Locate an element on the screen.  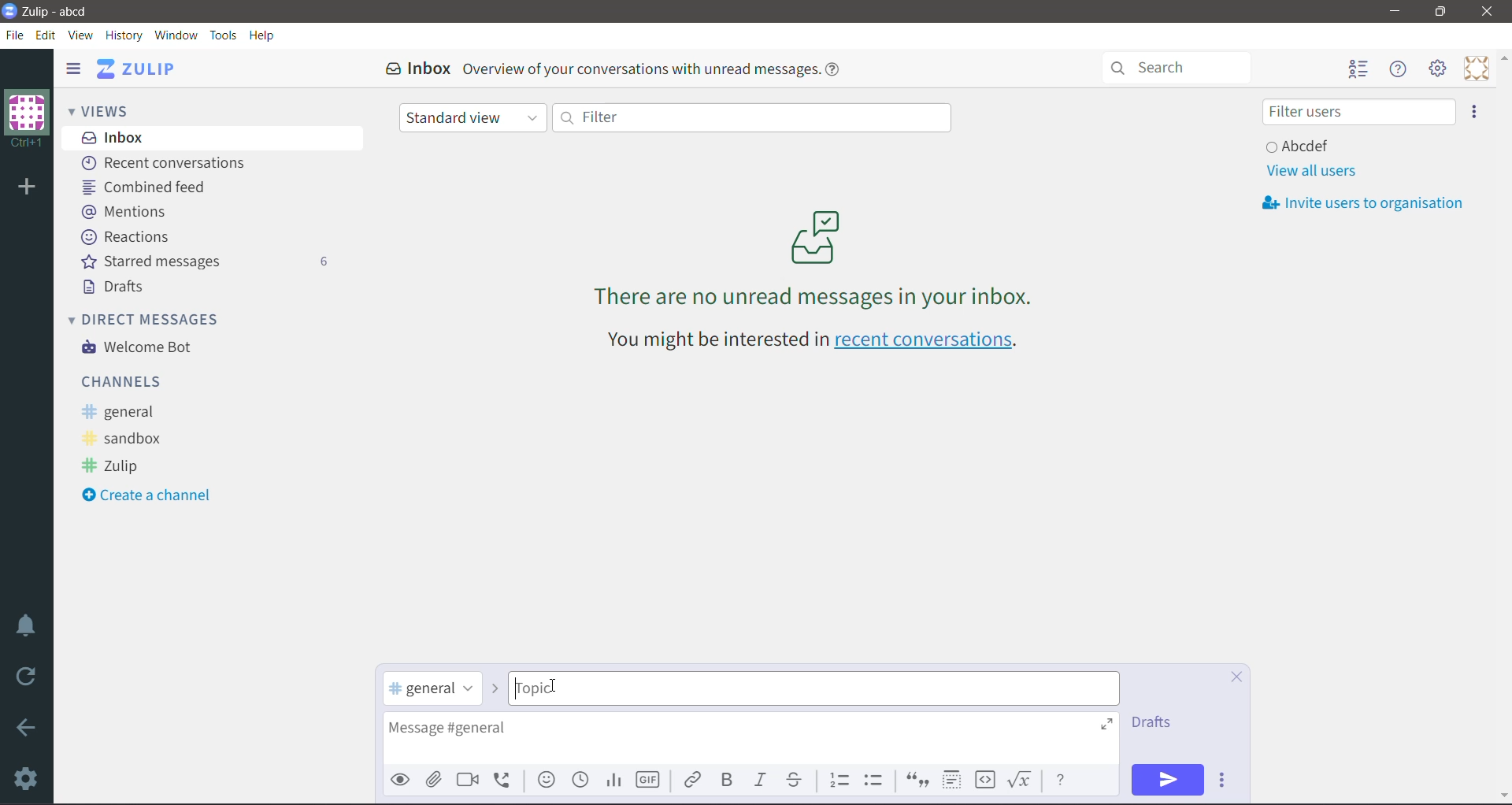
Strikethrough is located at coordinates (795, 780).